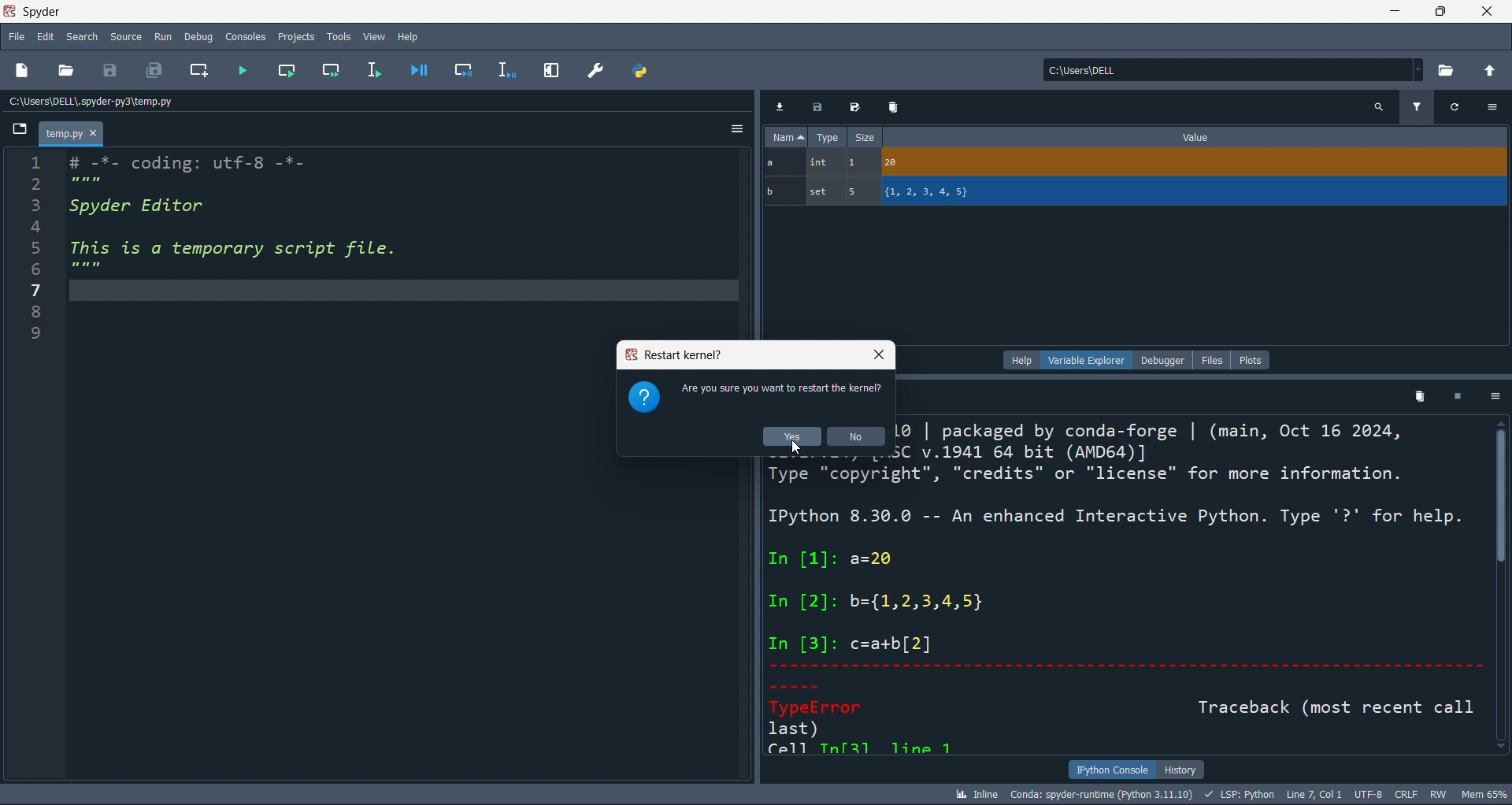 This screenshot has height=805, width=1512. What do you see at coordinates (408, 36) in the screenshot?
I see `Help` at bounding box center [408, 36].